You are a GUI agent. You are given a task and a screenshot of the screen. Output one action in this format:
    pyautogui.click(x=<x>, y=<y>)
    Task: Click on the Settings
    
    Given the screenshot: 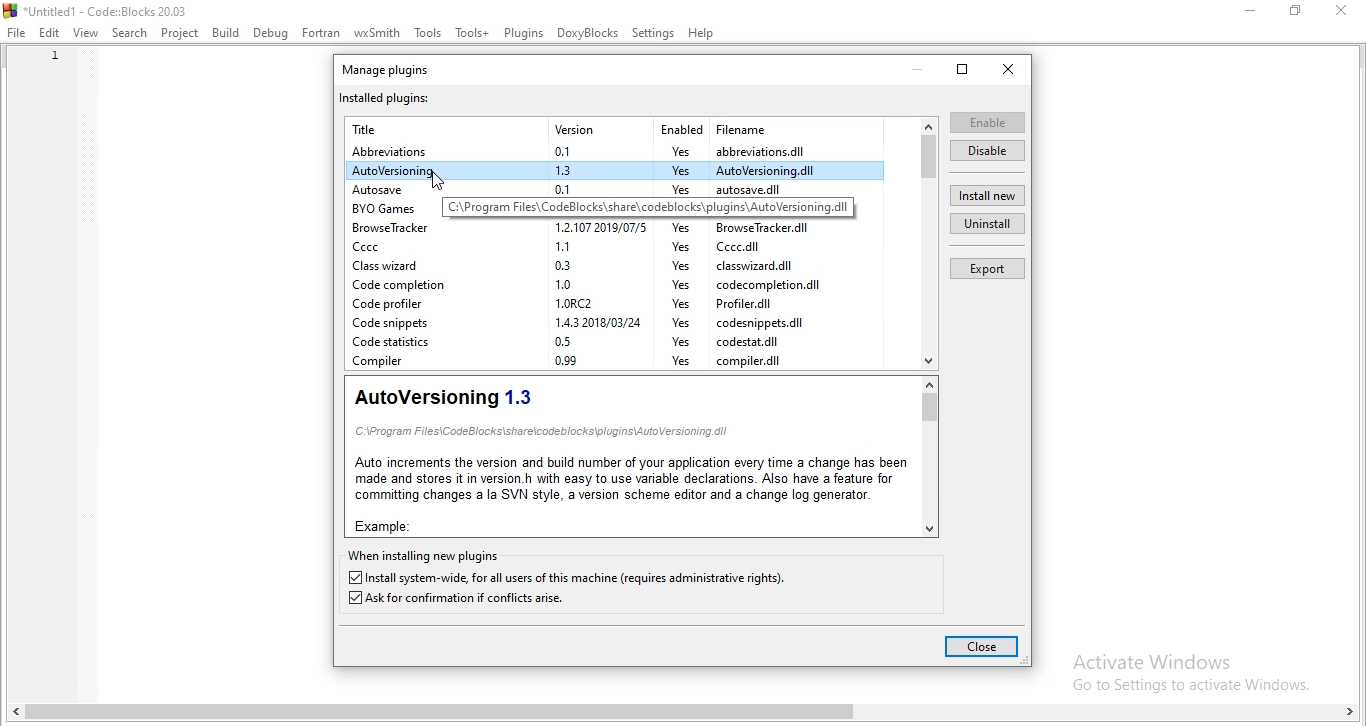 What is the action you would take?
    pyautogui.click(x=653, y=34)
    